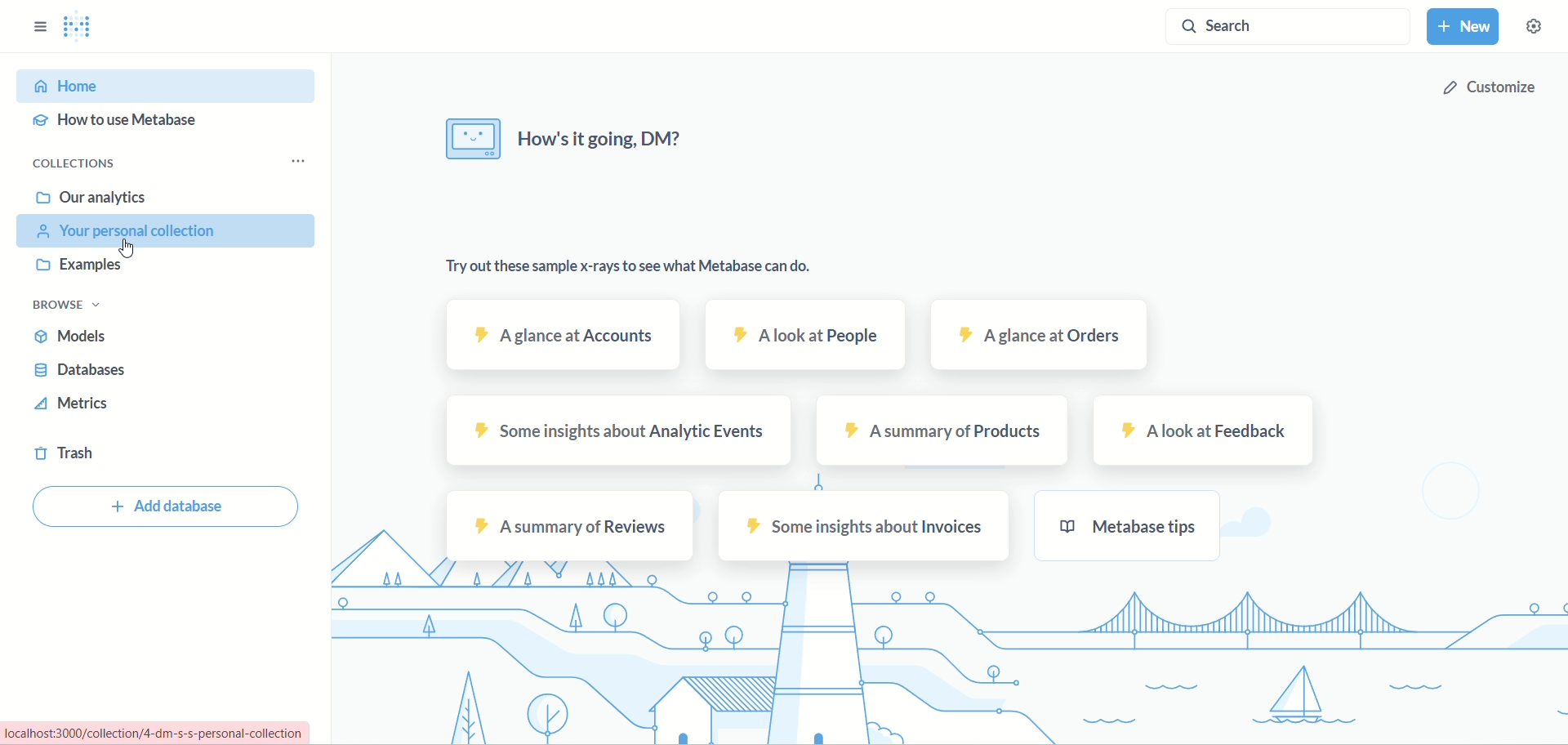 The width and height of the screenshot is (1568, 745). Describe the element at coordinates (305, 161) in the screenshot. I see `collection menu ` at that location.